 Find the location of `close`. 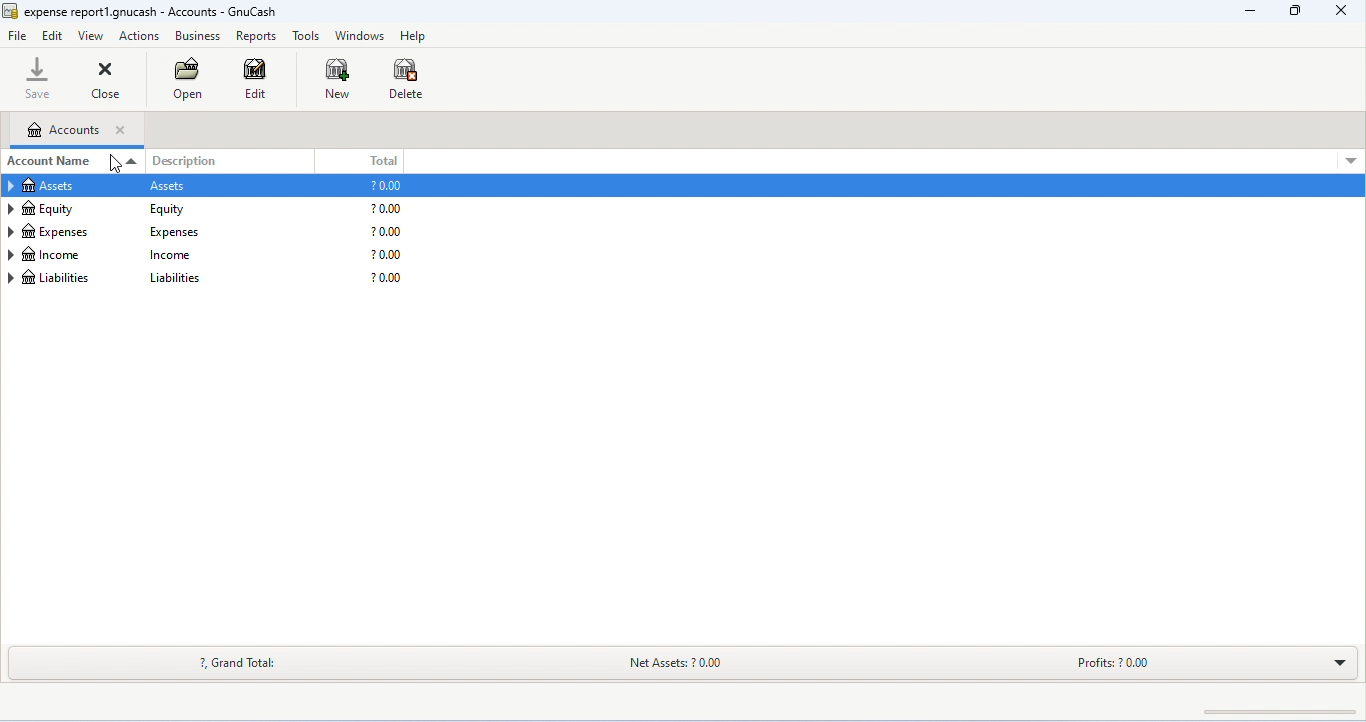

close is located at coordinates (123, 129).